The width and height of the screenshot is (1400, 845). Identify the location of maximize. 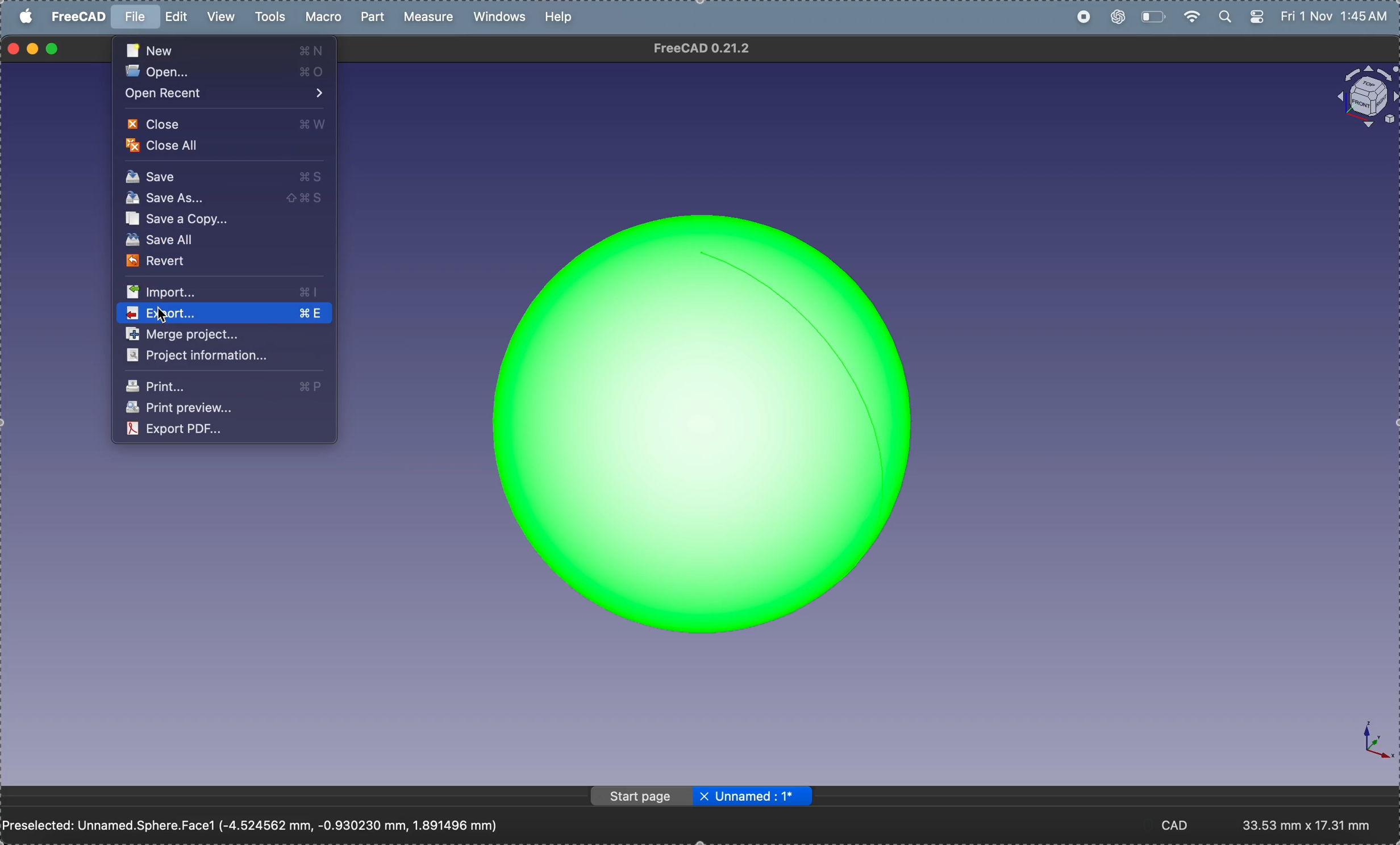
(56, 49).